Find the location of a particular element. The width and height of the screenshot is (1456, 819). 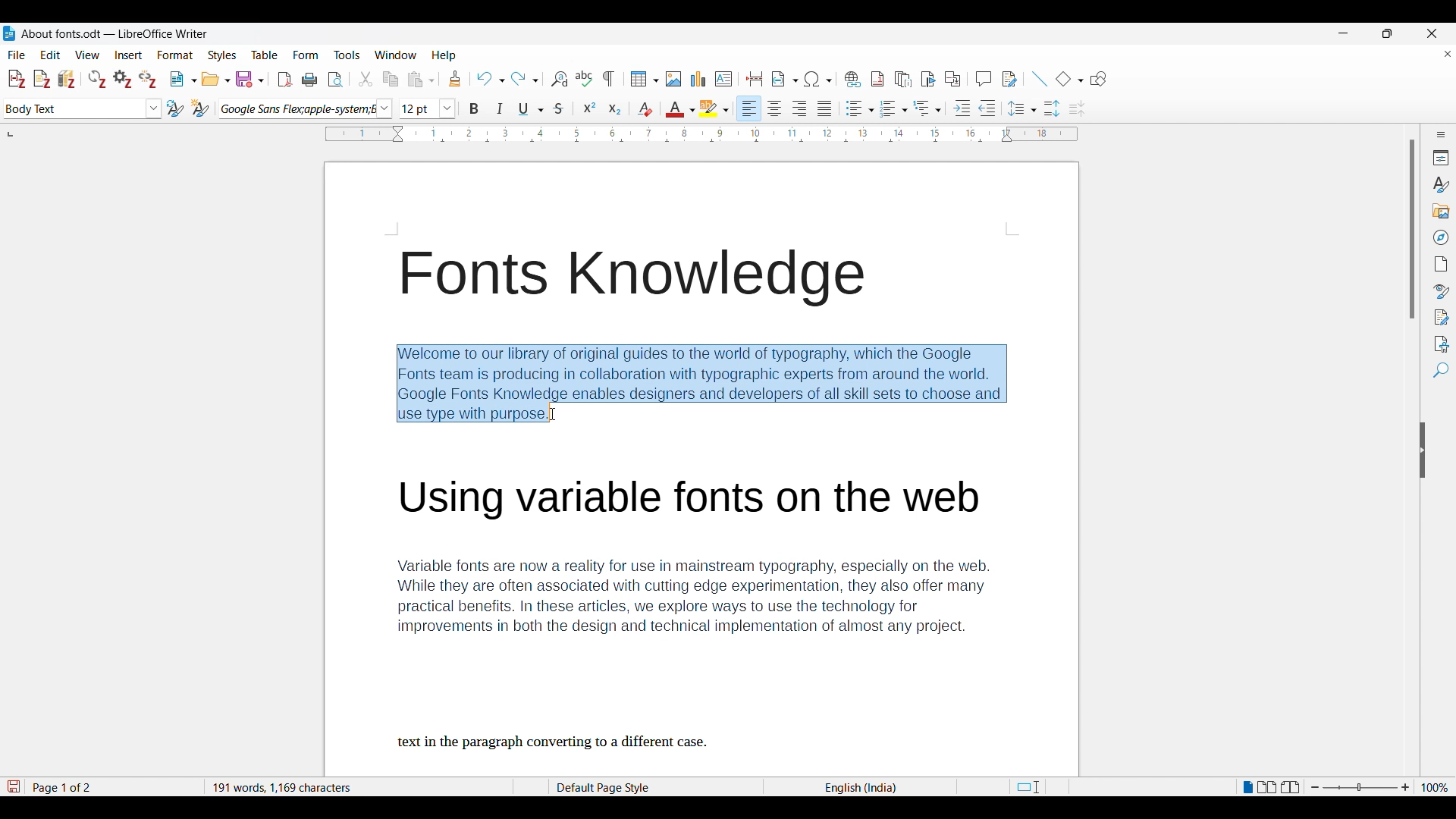

Current zoom factor is located at coordinates (1435, 787).